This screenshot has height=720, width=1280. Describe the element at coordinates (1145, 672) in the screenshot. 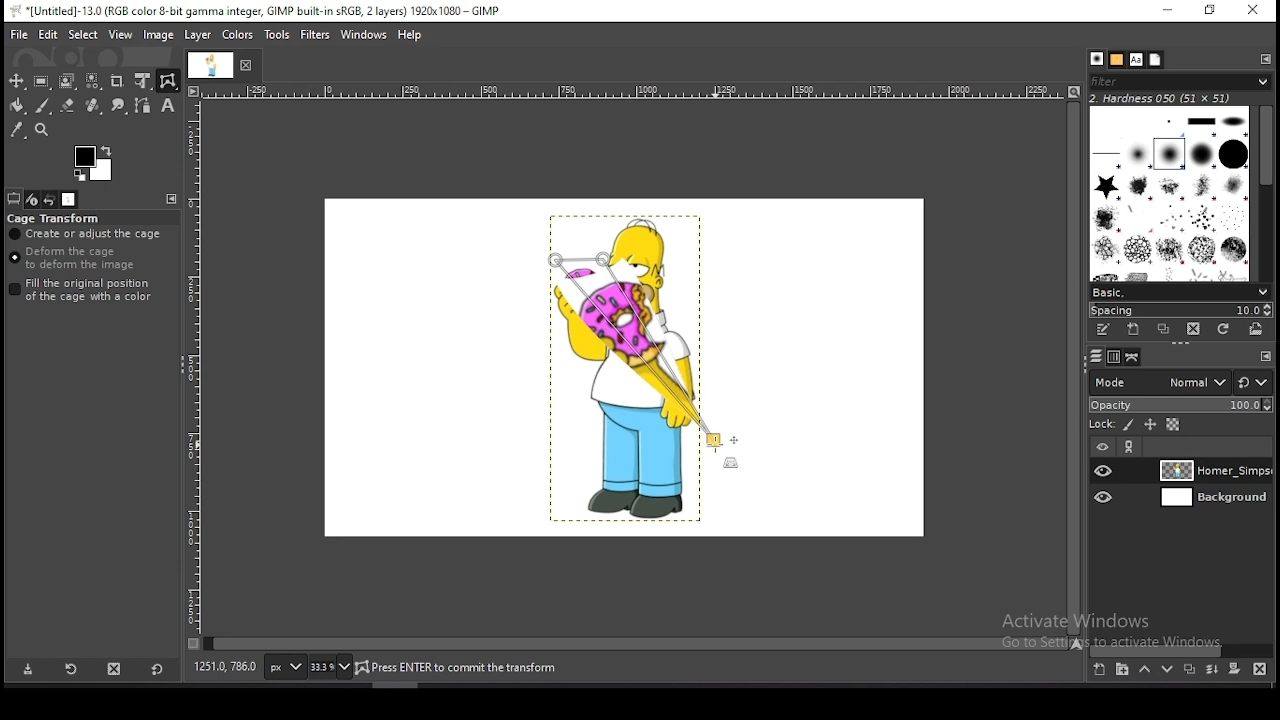

I see `move layer one step up` at that location.